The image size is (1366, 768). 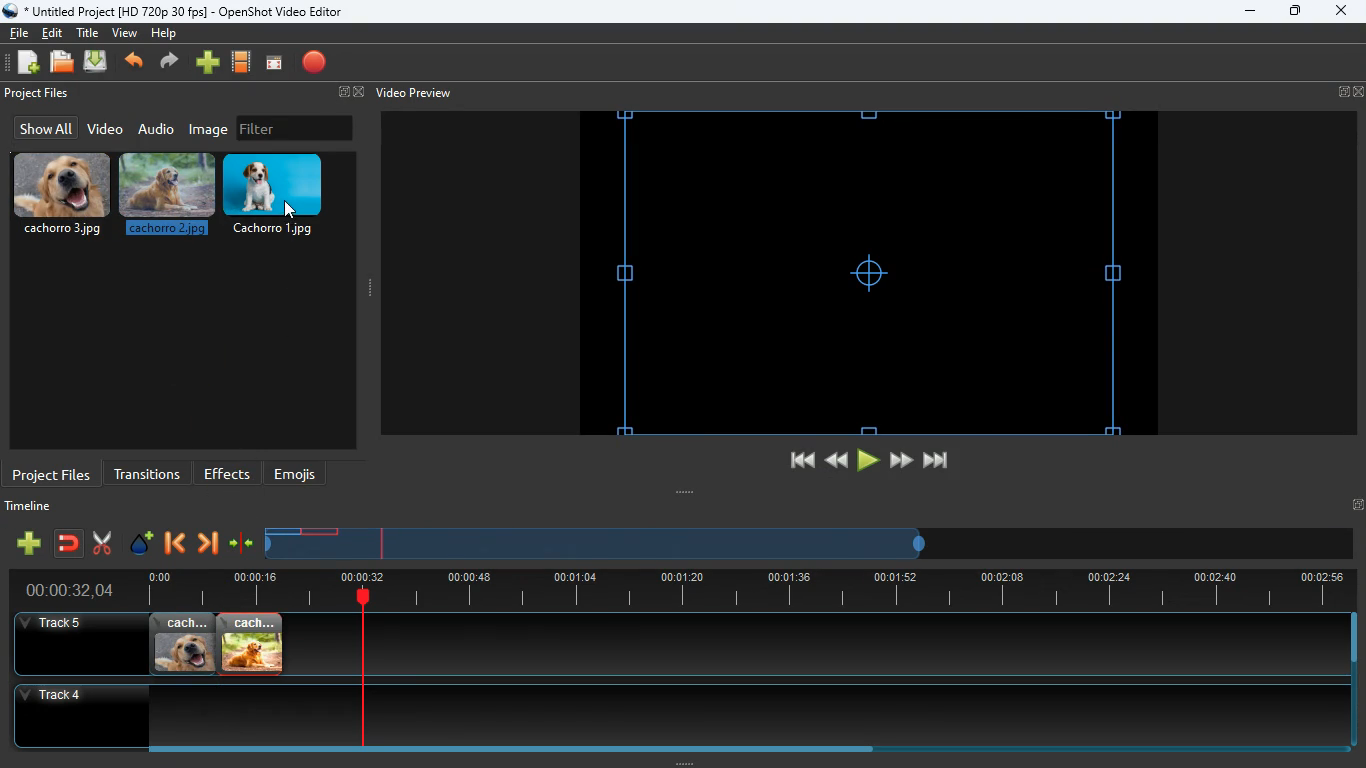 What do you see at coordinates (282, 531) in the screenshot?
I see `image timeline` at bounding box center [282, 531].